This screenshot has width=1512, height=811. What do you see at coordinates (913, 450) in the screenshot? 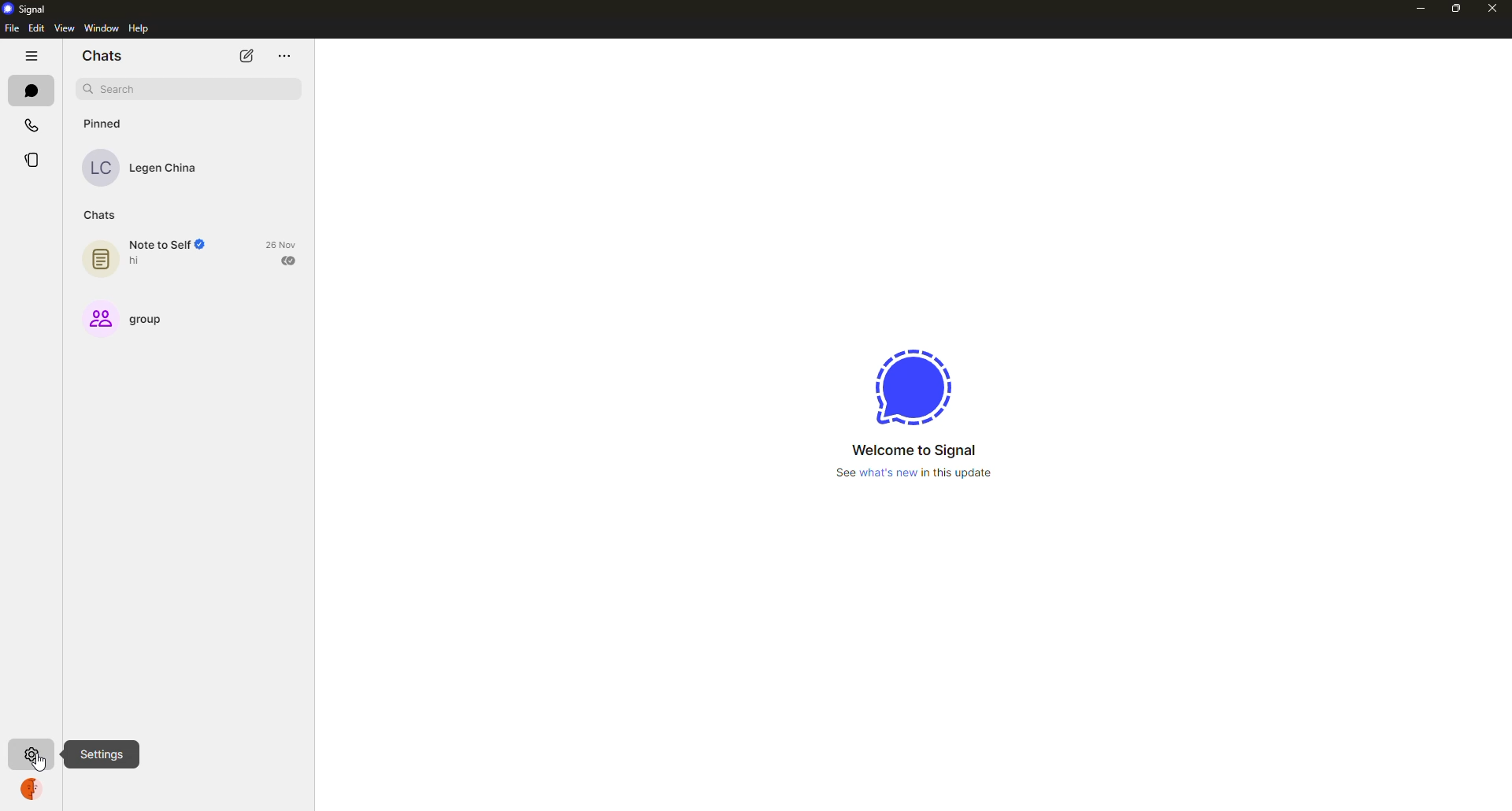
I see `Welcome to Signal` at bounding box center [913, 450].